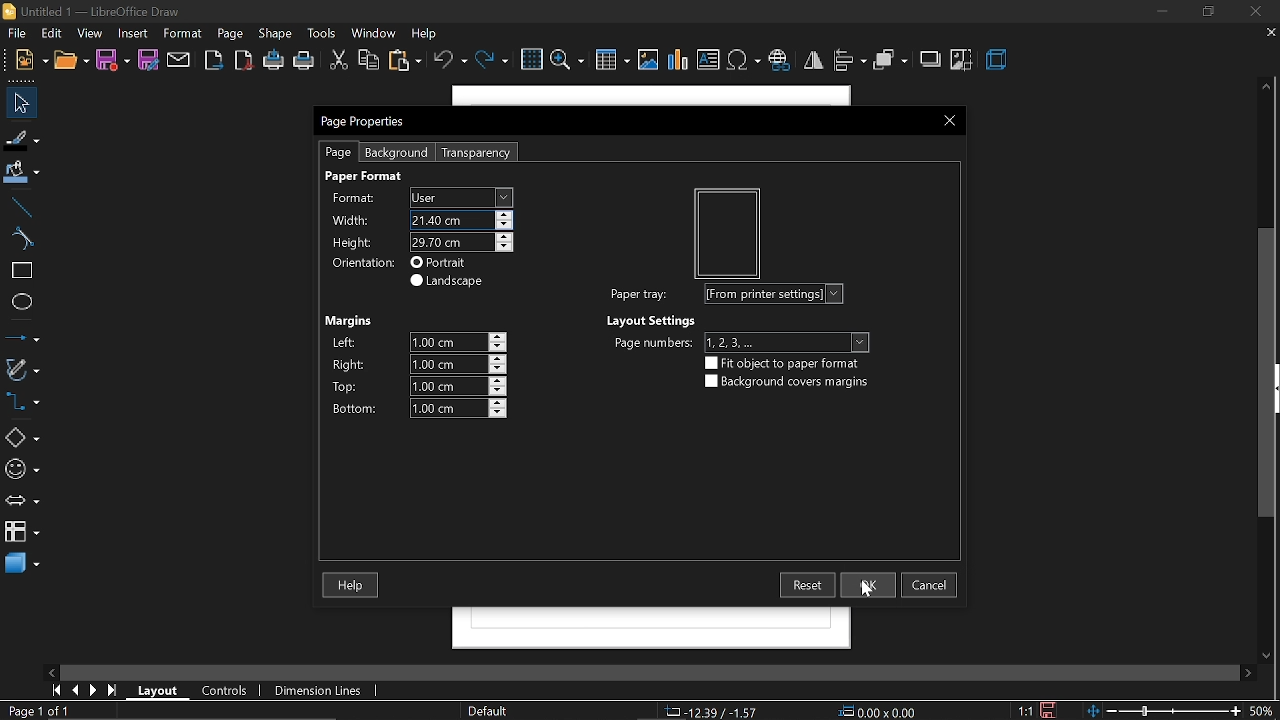  I want to click on scroll, so click(641, 668).